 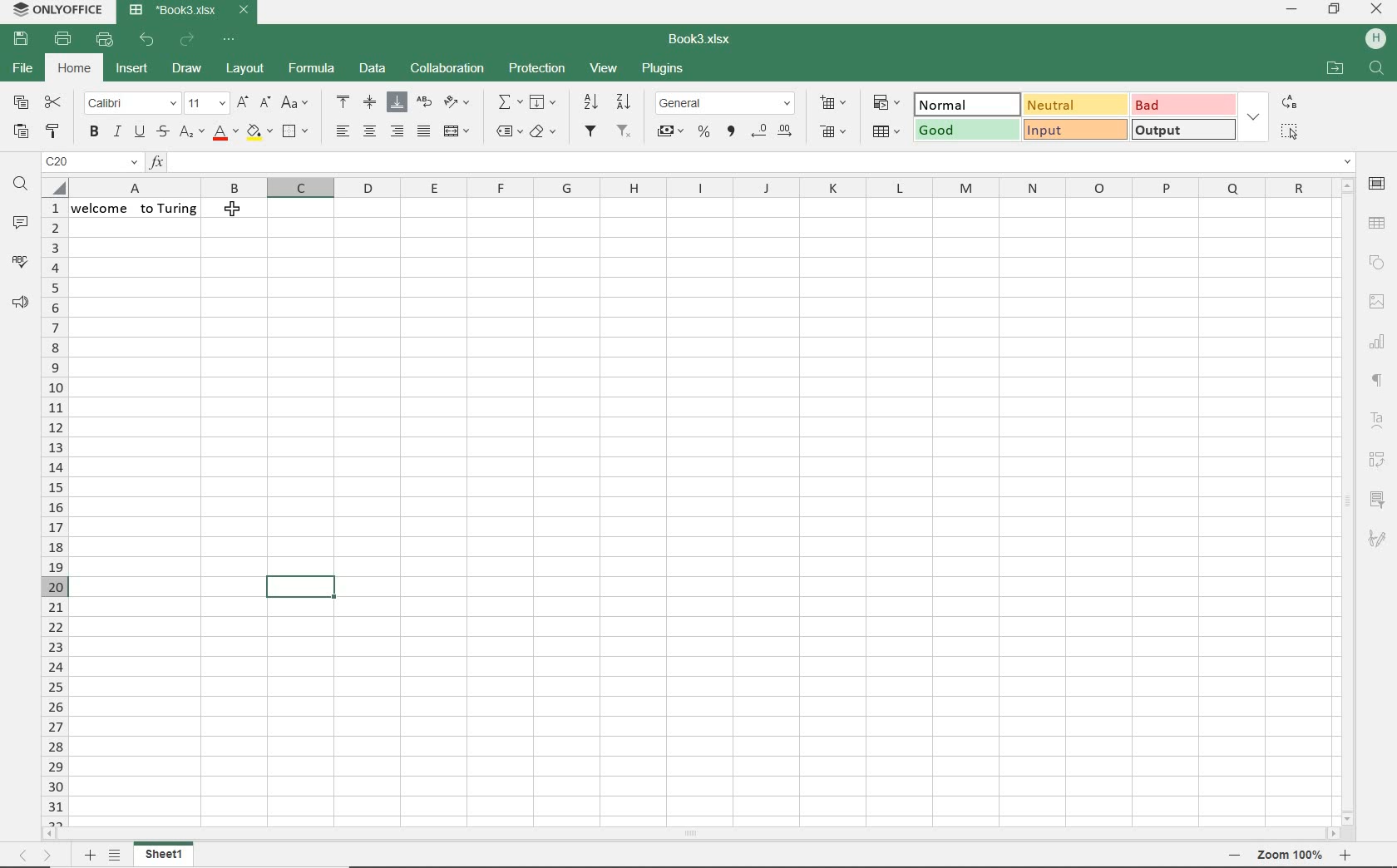 I want to click on scrollbar, so click(x=1346, y=501).